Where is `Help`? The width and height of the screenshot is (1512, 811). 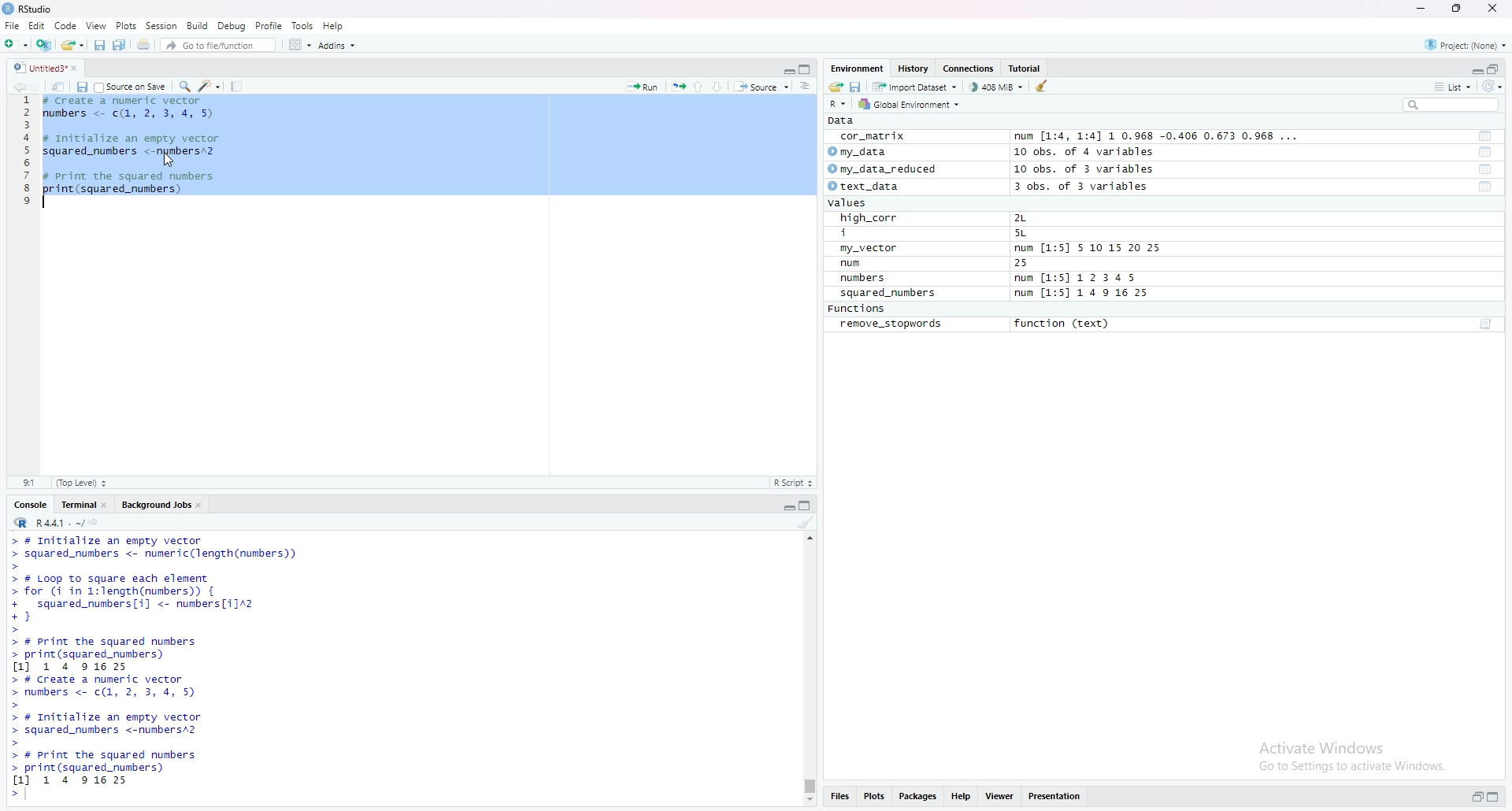 Help is located at coordinates (962, 798).